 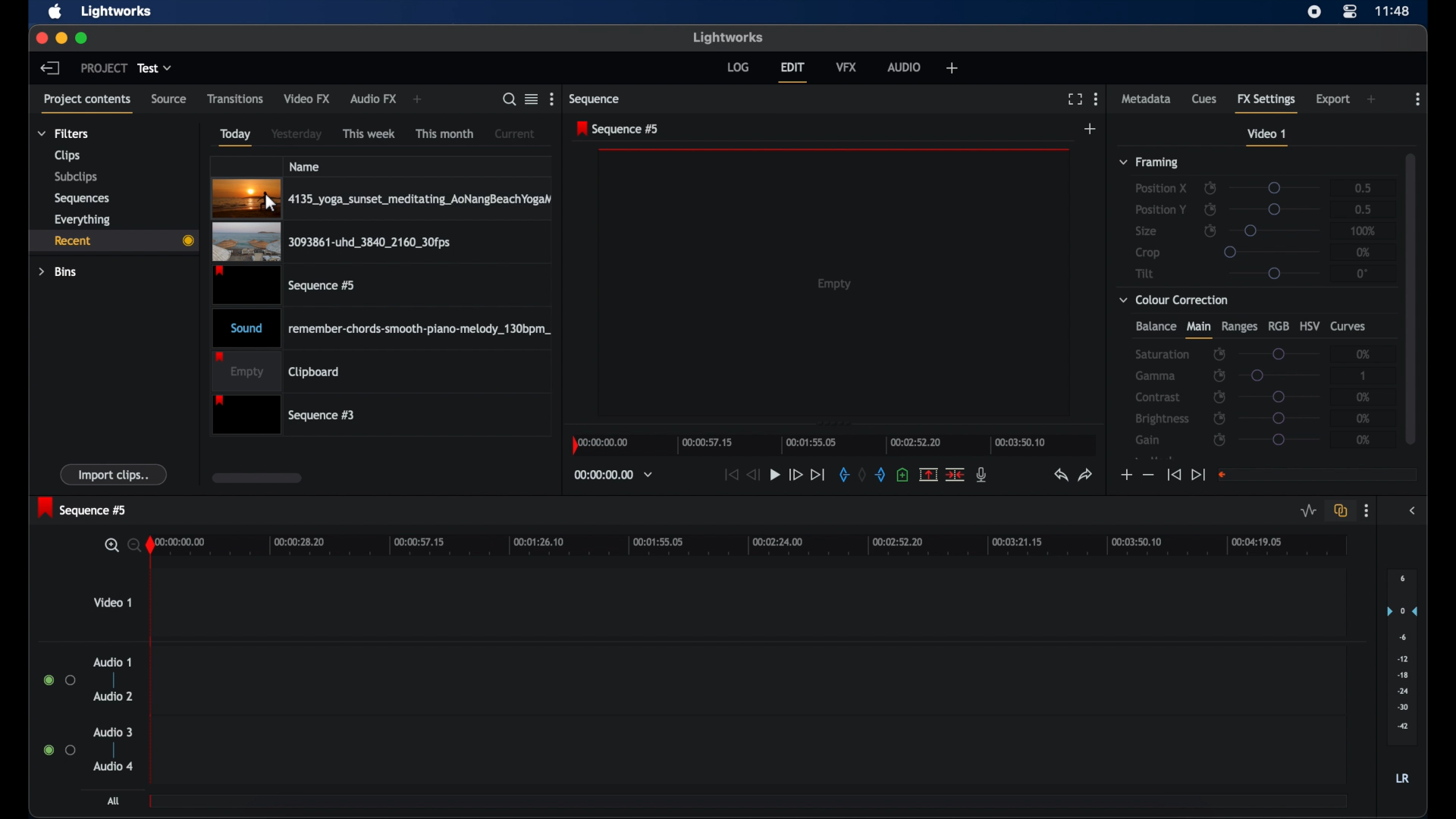 I want to click on play , so click(x=775, y=475).